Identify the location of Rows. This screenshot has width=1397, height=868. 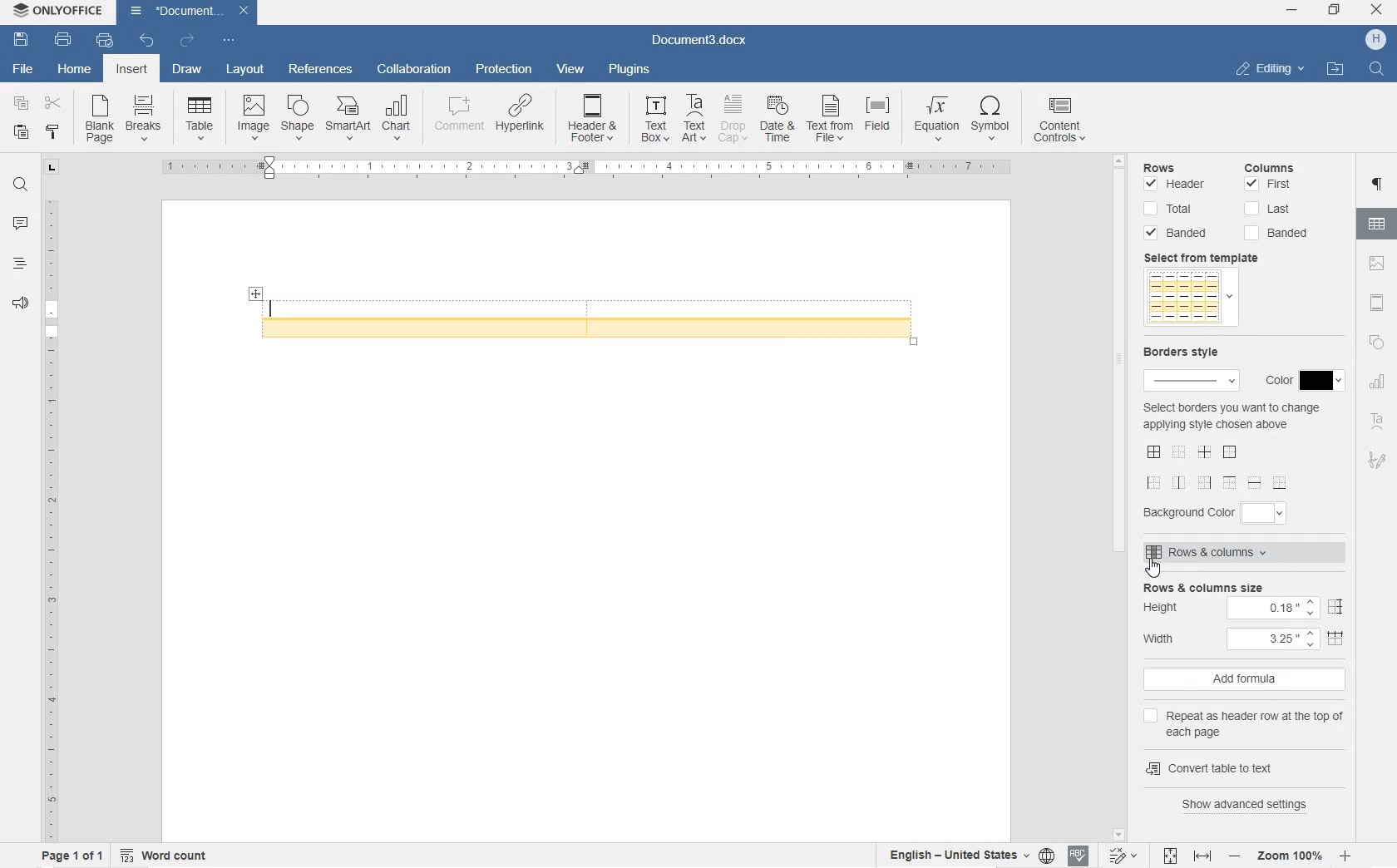
(1181, 165).